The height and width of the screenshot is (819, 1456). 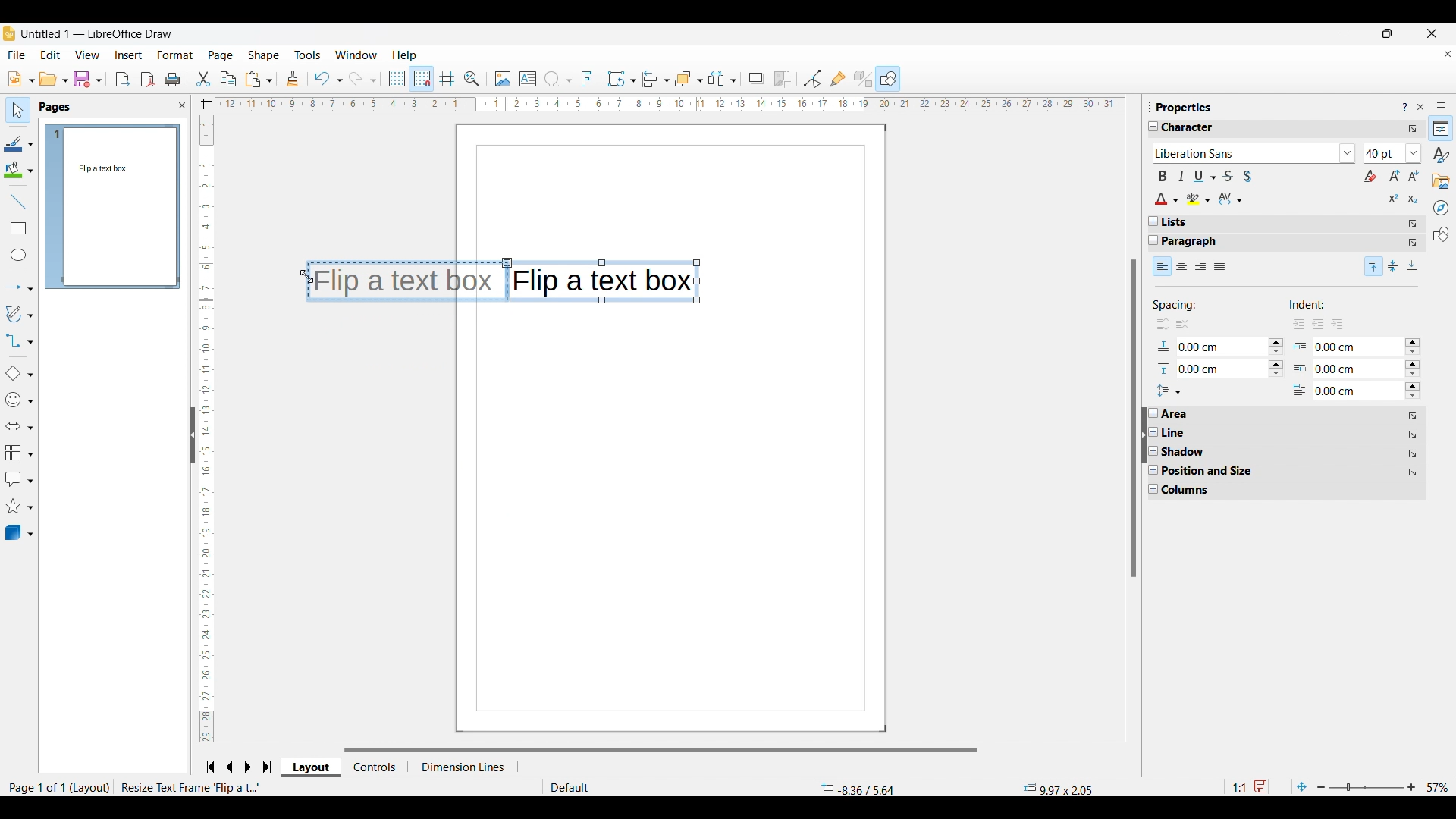 What do you see at coordinates (308, 55) in the screenshot?
I see `Tools menu` at bounding box center [308, 55].